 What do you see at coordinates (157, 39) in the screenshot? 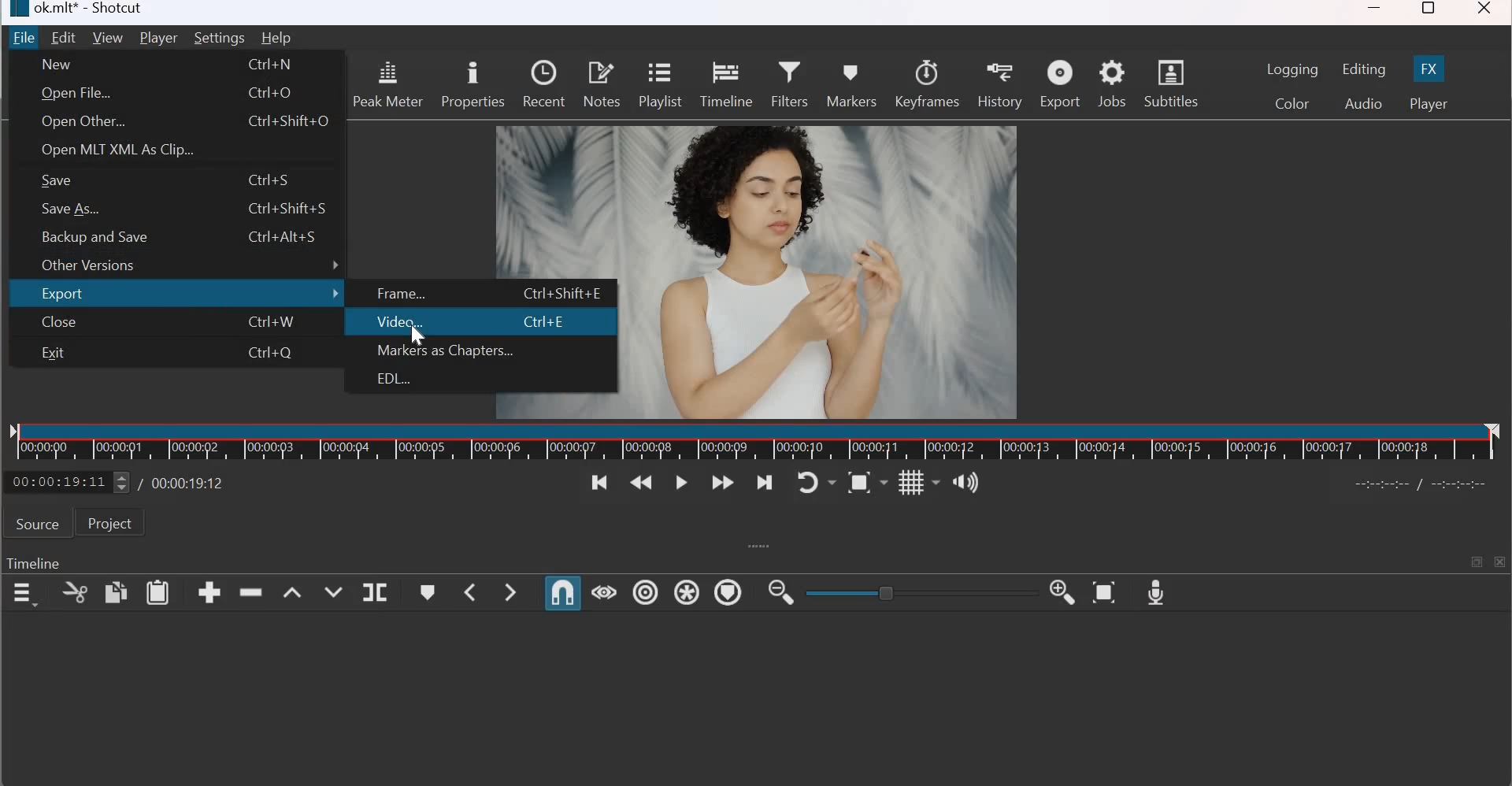
I see `Player` at bounding box center [157, 39].